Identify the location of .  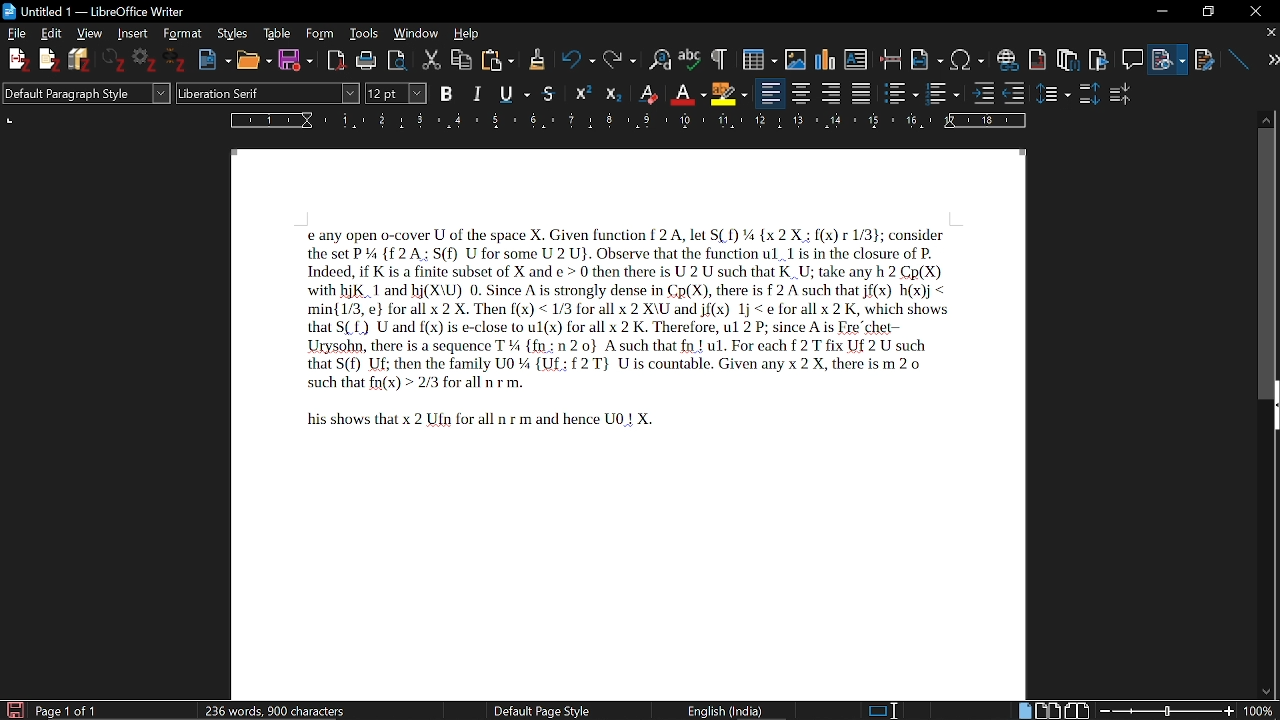
(536, 59).